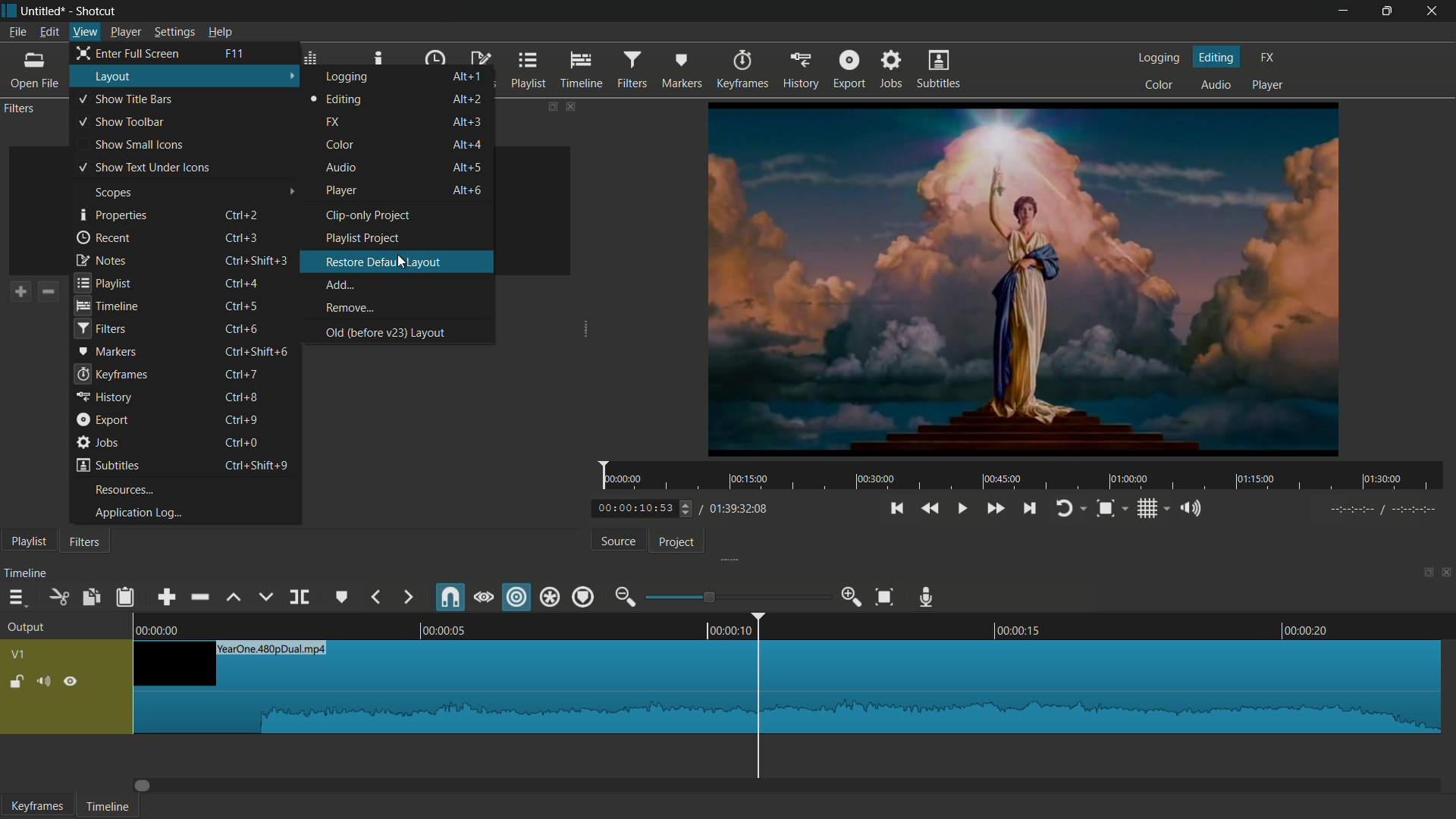 Image resolution: width=1456 pixels, height=819 pixels. What do you see at coordinates (849, 71) in the screenshot?
I see `export` at bounding box center [849, 71].